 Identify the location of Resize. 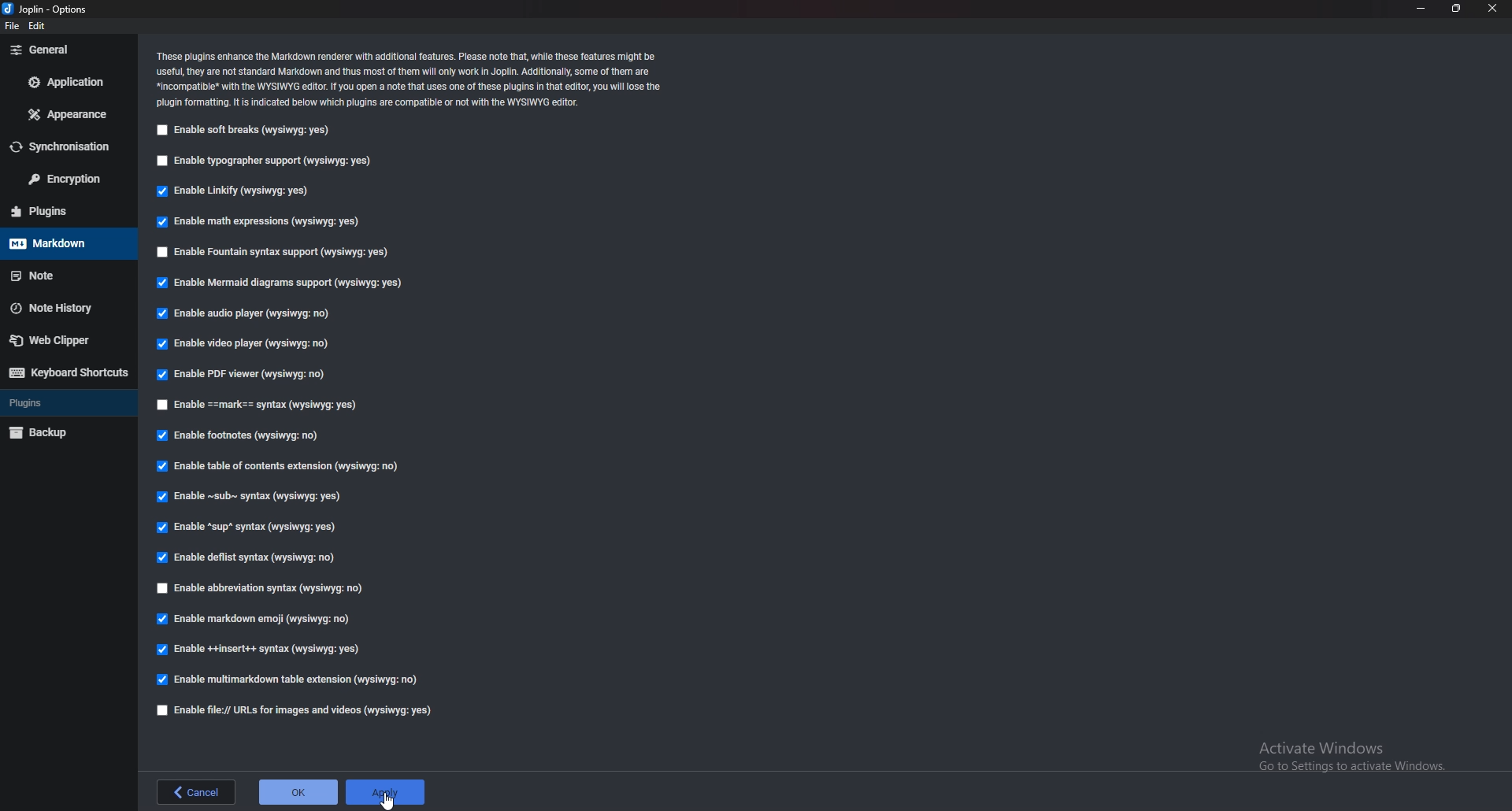
(1456, 9).